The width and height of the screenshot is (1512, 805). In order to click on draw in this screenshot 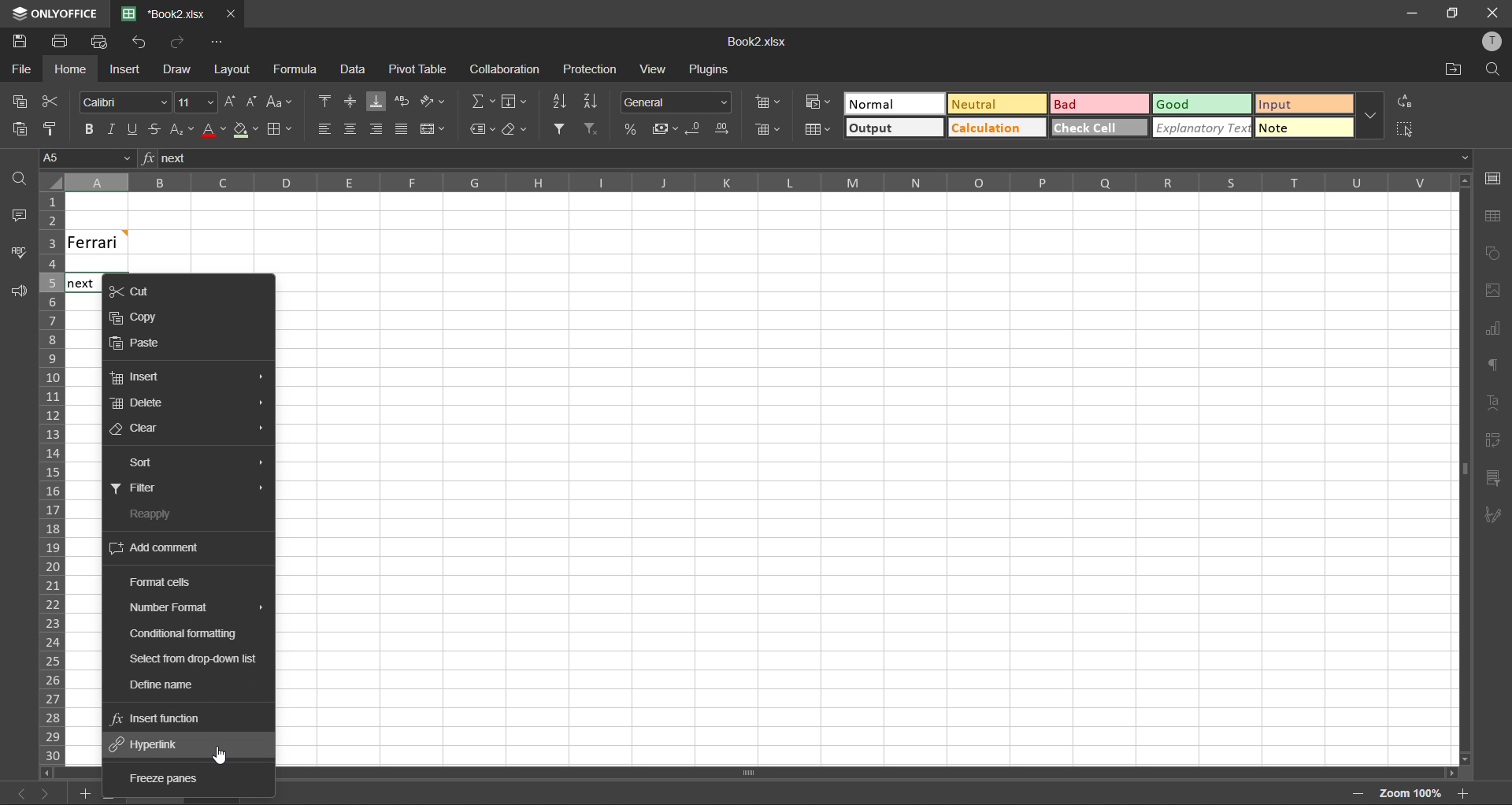, I will do `click(177, 72)`.